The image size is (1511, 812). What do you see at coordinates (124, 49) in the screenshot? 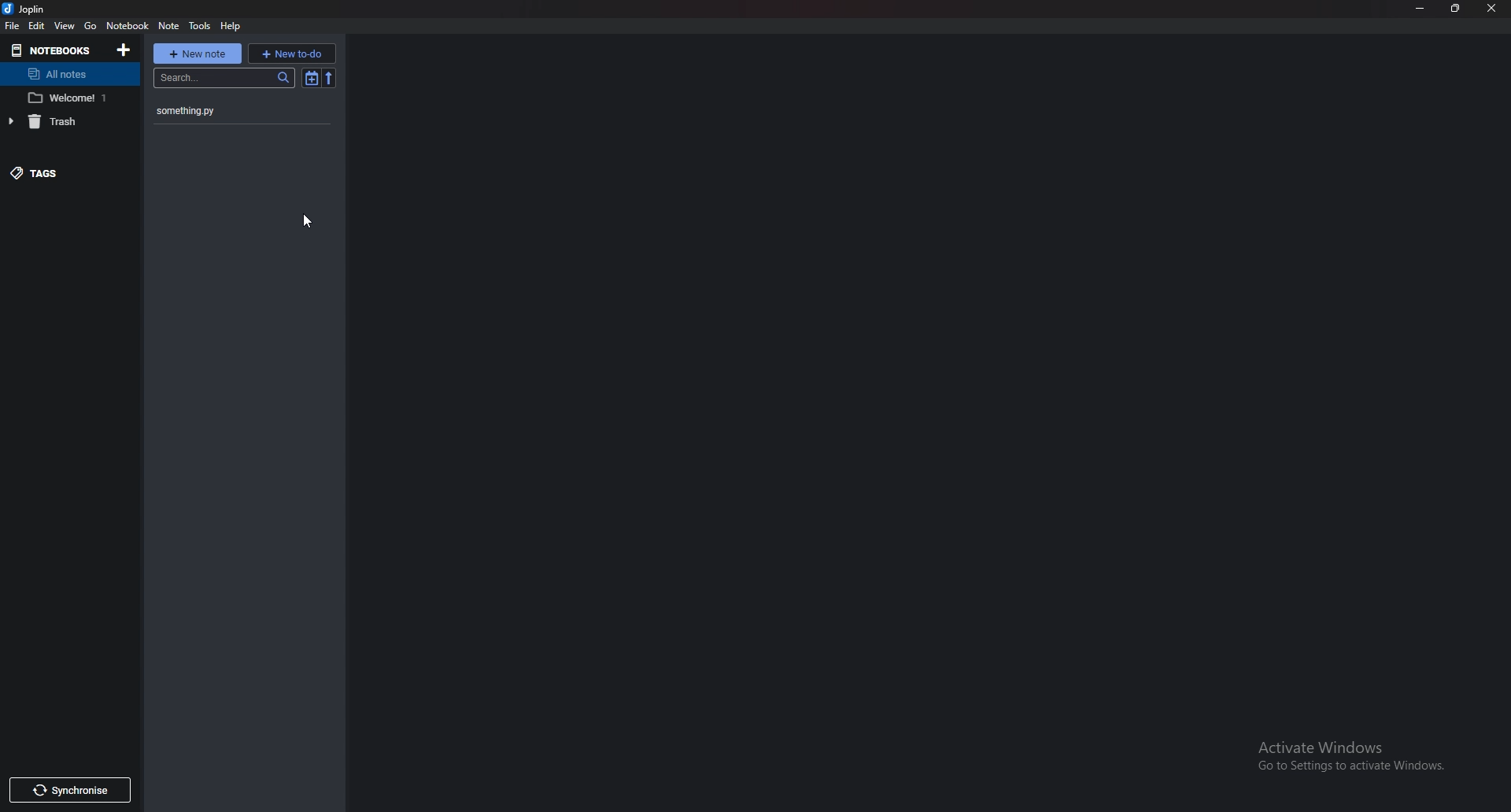
I see `Add notebooks` at bounding box center [124, 49].